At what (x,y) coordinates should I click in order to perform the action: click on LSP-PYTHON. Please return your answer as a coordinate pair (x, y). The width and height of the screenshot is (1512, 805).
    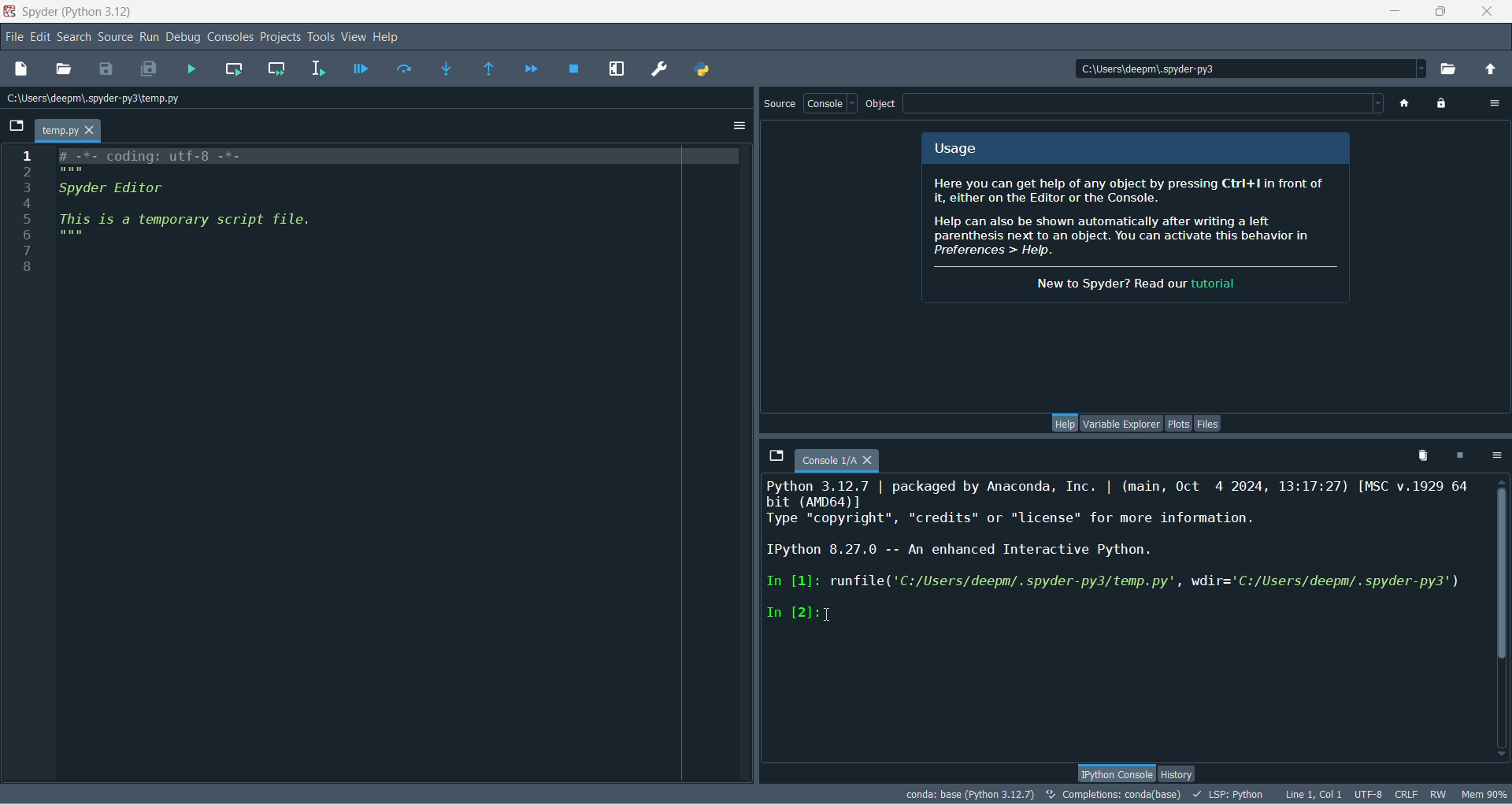
    Looking at the image, I should click on (1228, 794).